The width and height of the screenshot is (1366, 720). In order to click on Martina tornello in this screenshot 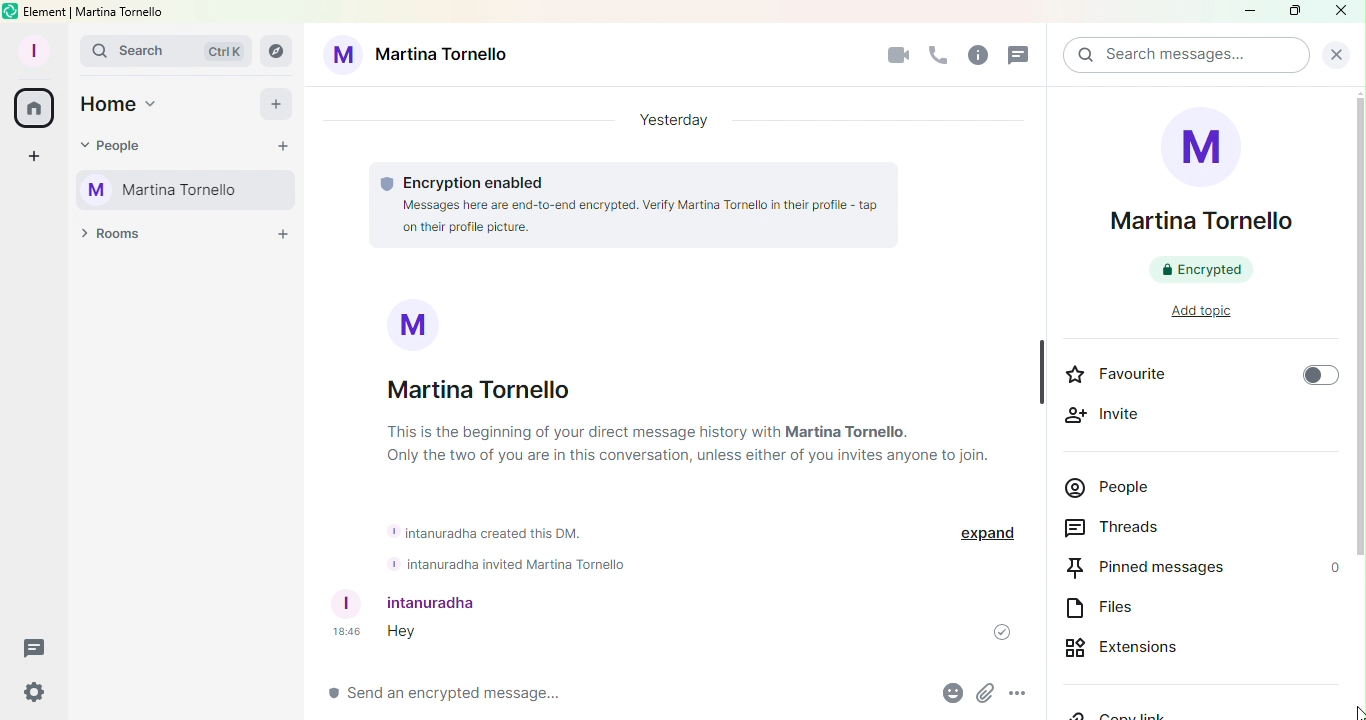, I will do `click(421, 60)`.